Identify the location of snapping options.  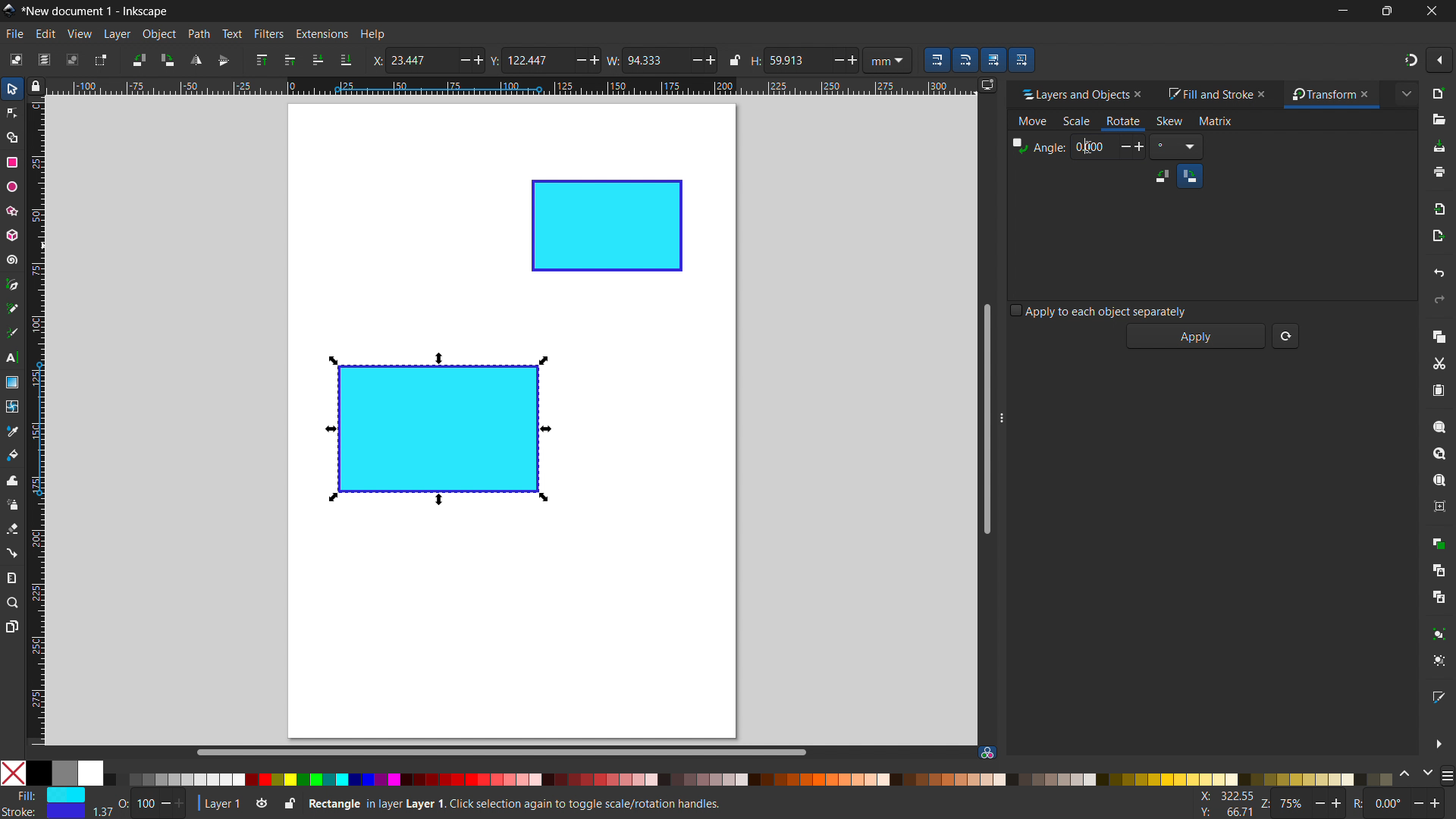
(1439, 60).